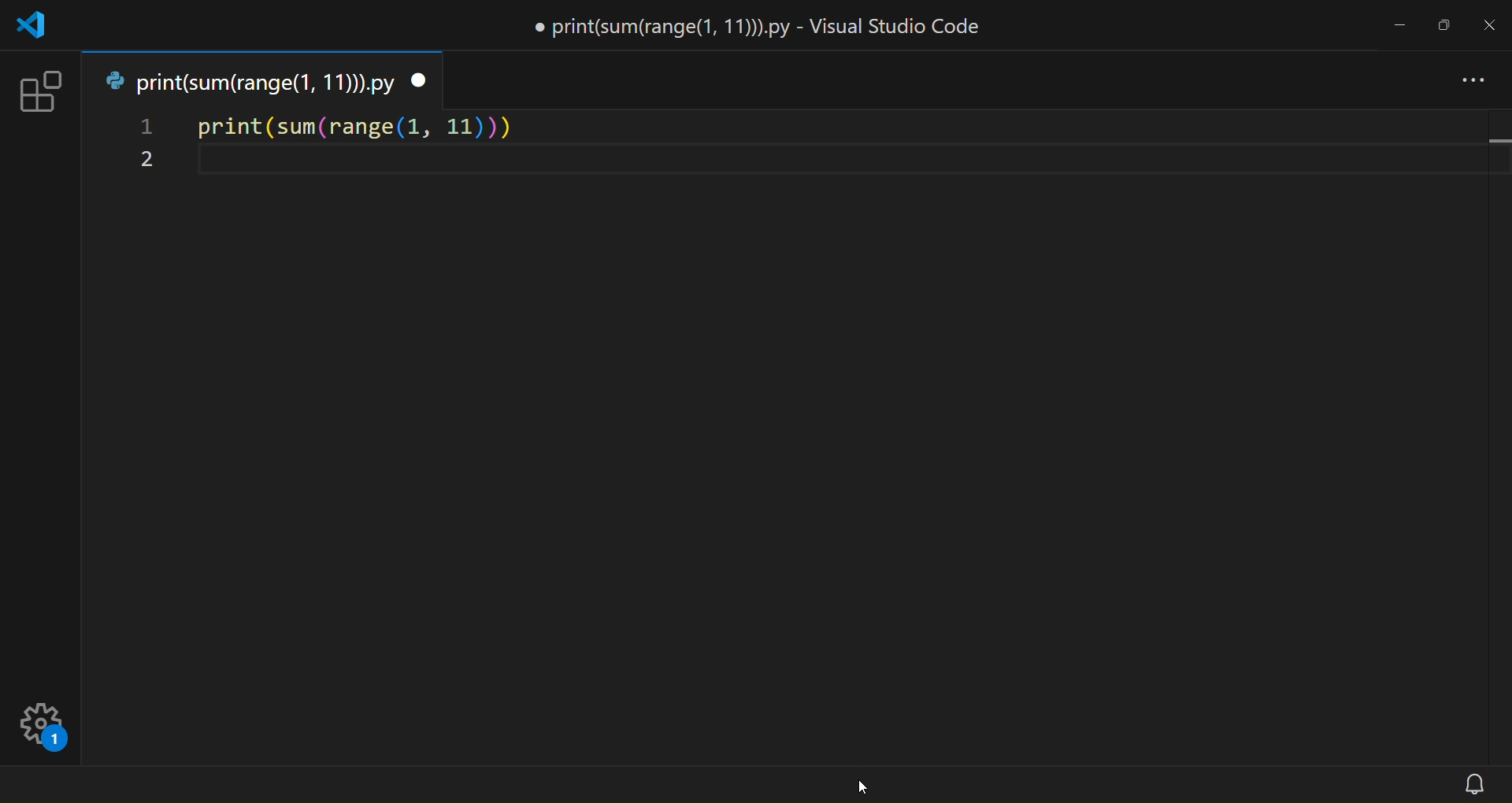 Image resolution: width=1512 pixels, height=803 pixels. I want to click on maximize, so click(1447, 23).